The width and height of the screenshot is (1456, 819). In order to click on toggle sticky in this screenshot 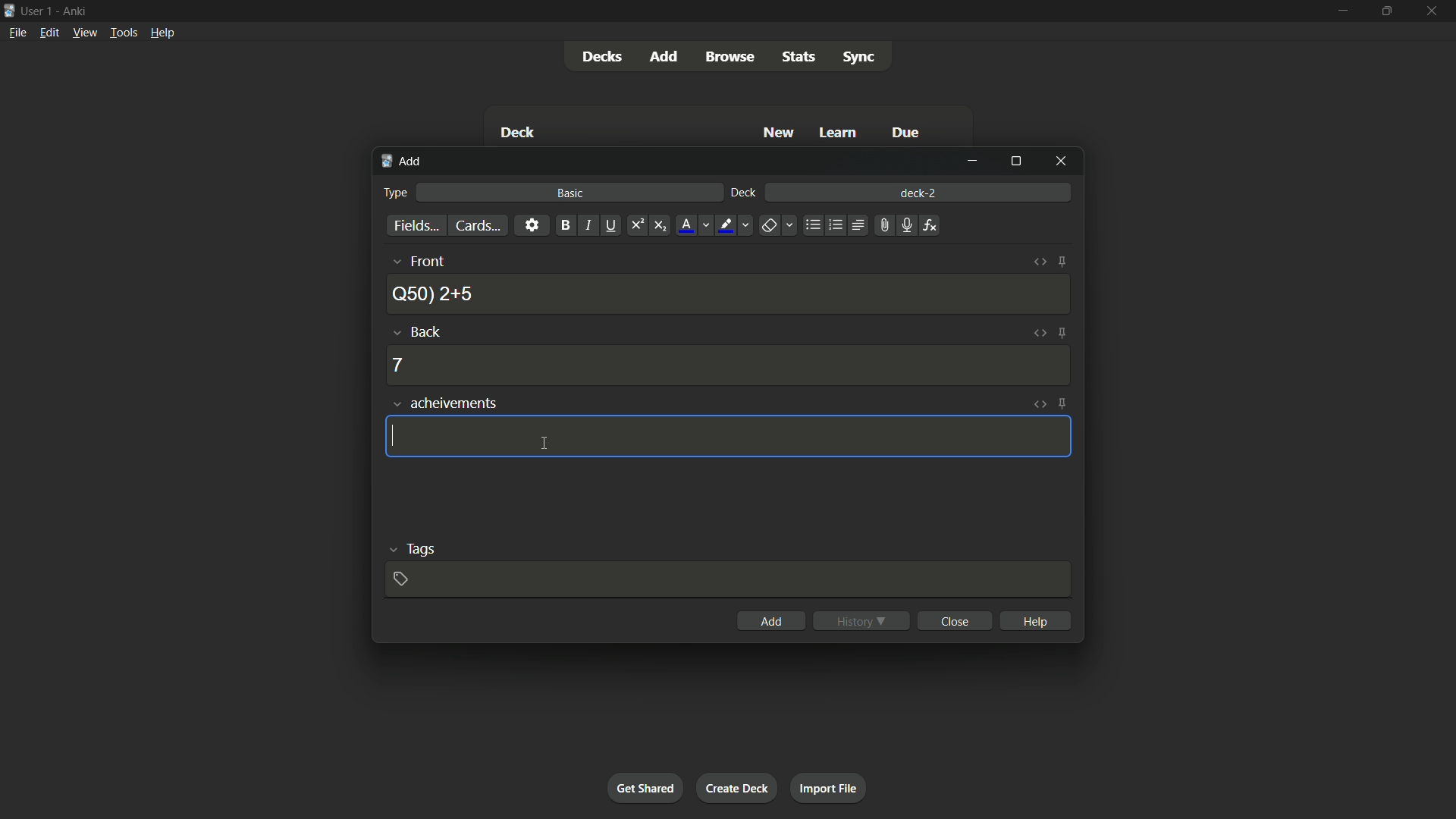, I will do `click(1062, 263)`.